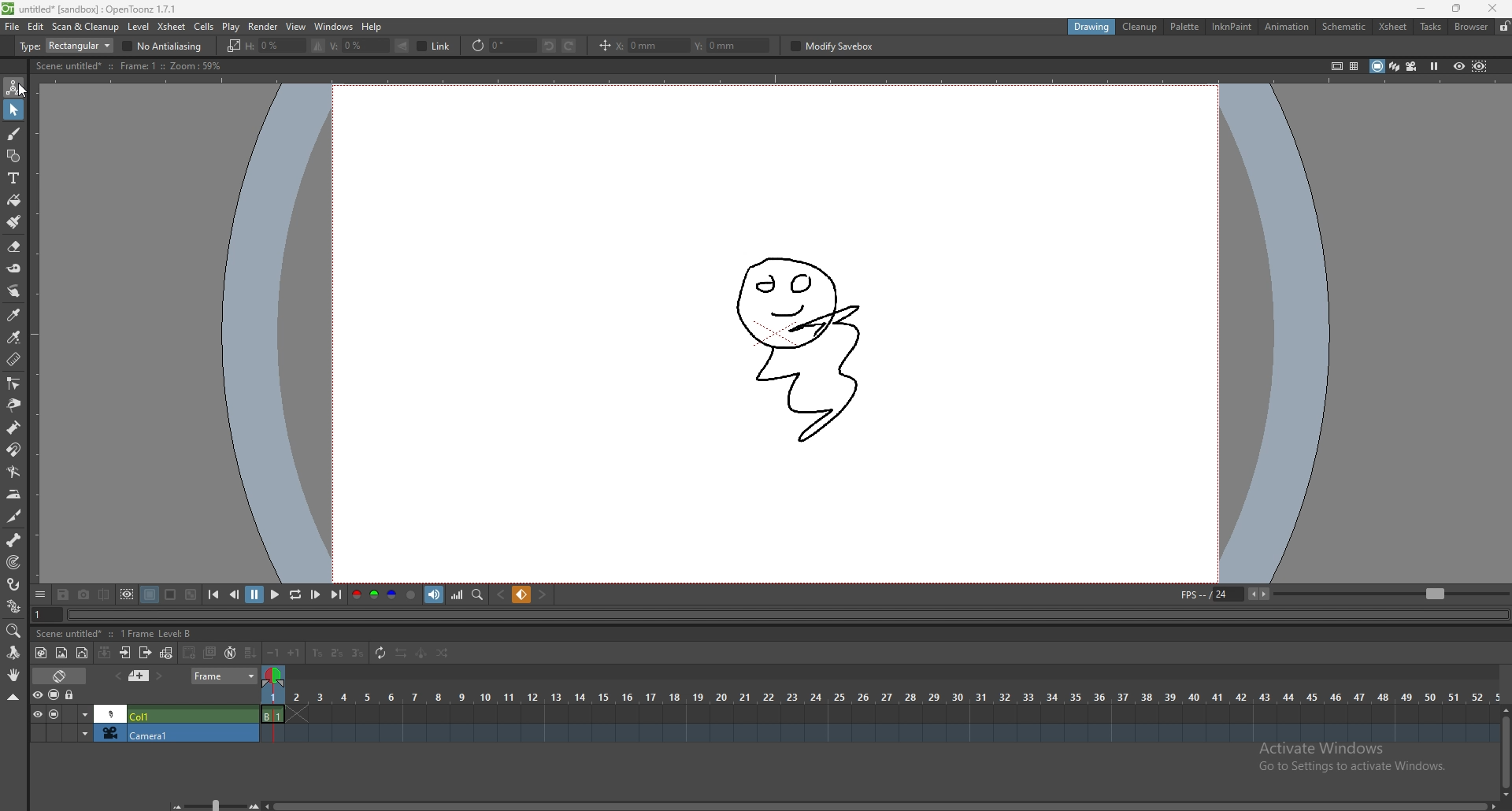 The image size is (1512, 811). I want to click on camera view, so click(1411, 65).